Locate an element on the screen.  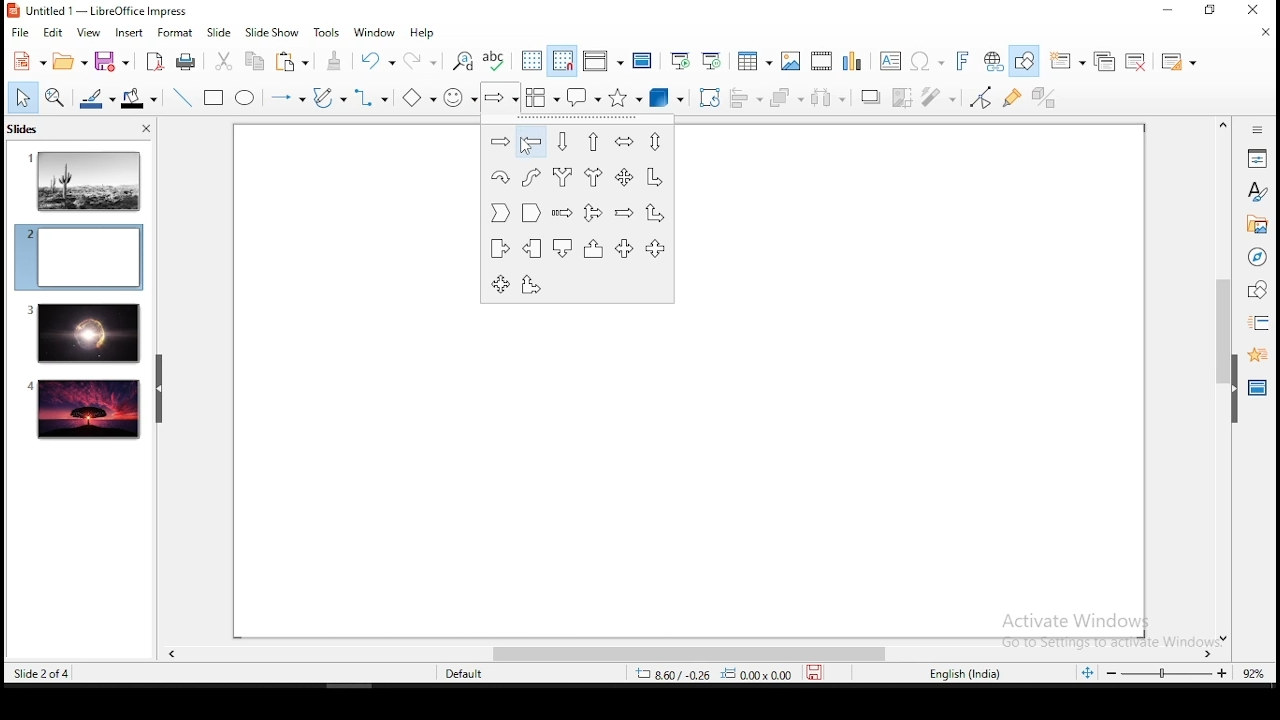
export as pdf is located at coordinates (155, 60).